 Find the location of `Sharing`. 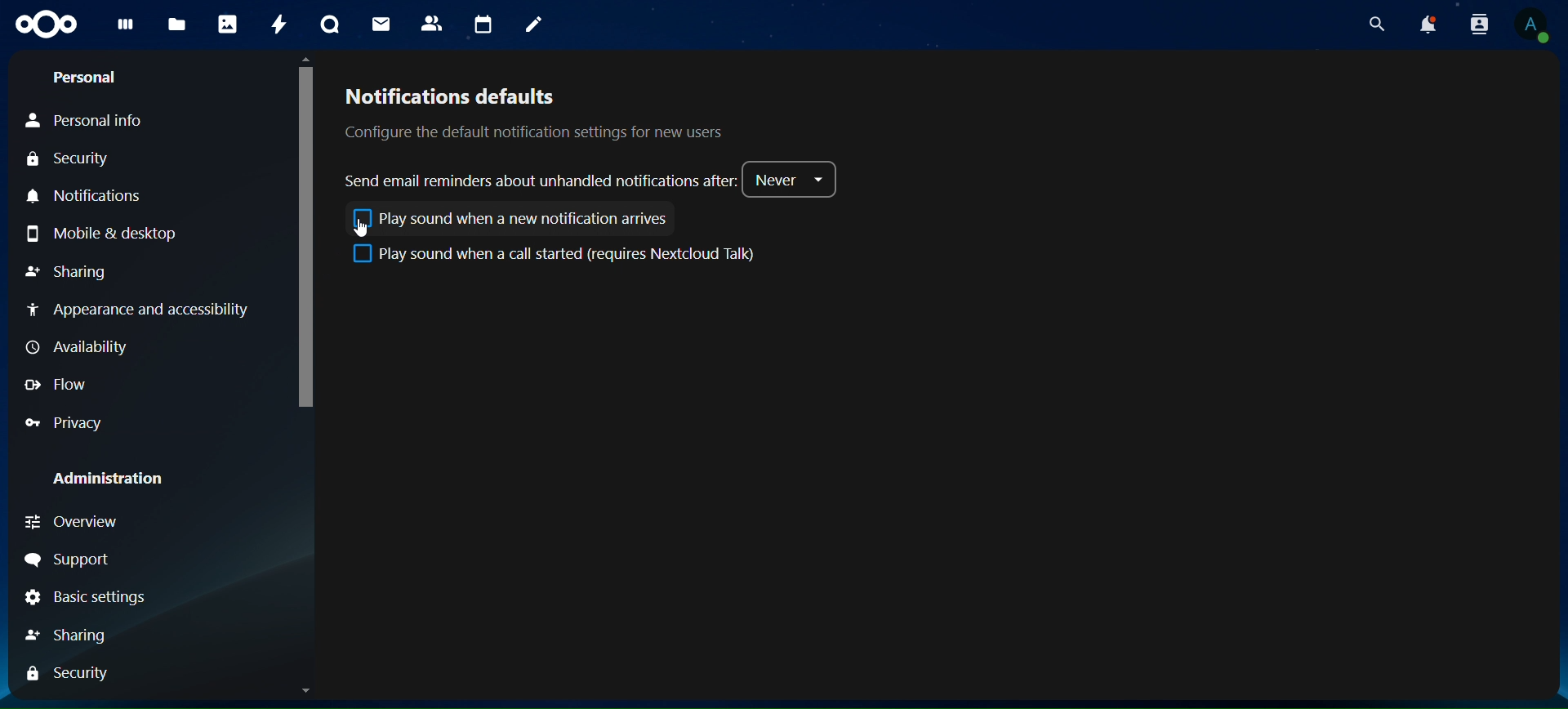

Sharing is located at coordinates (68, 636).